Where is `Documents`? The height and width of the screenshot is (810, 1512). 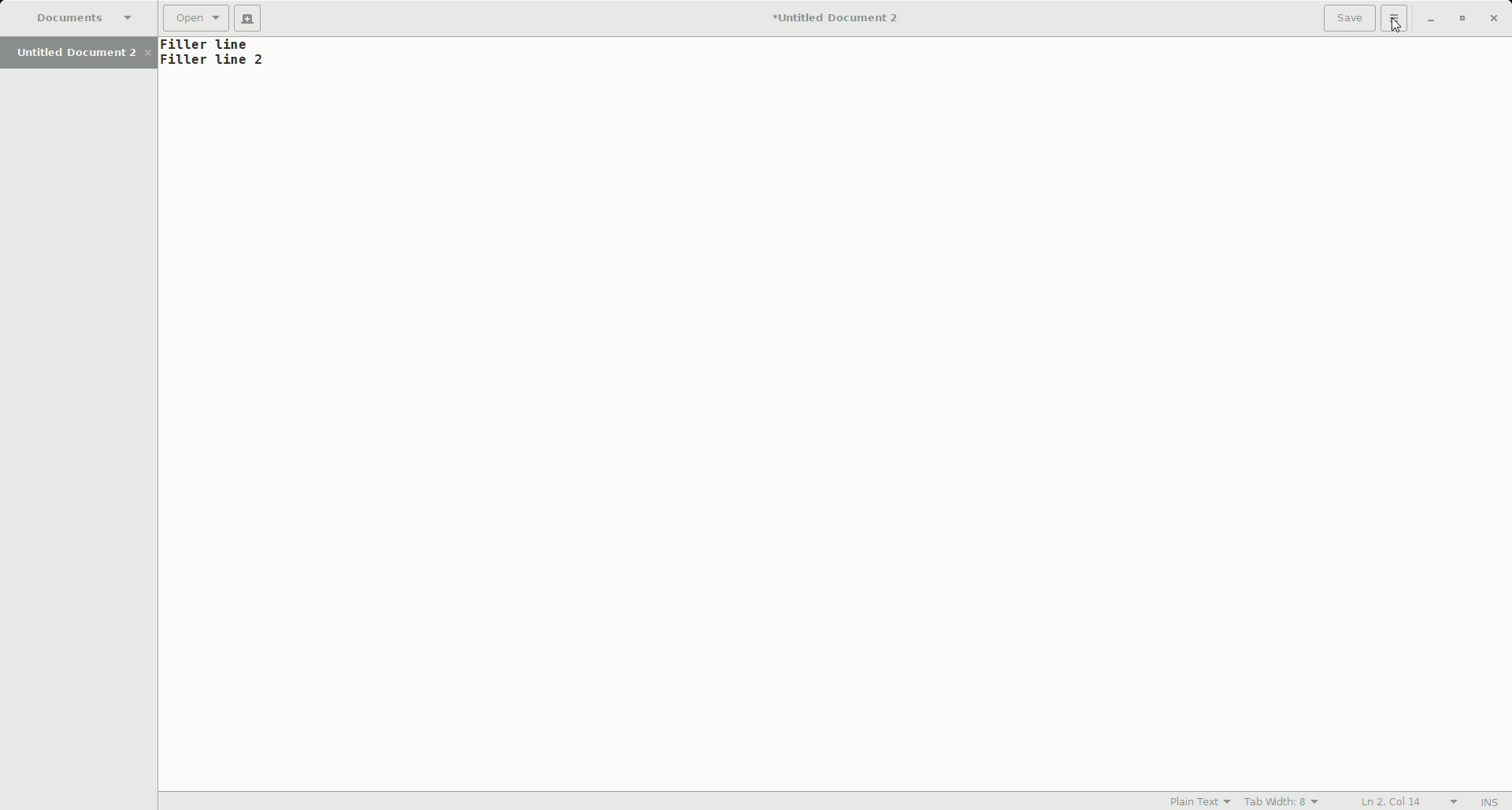 Documents is located at coordinates (89, 20).